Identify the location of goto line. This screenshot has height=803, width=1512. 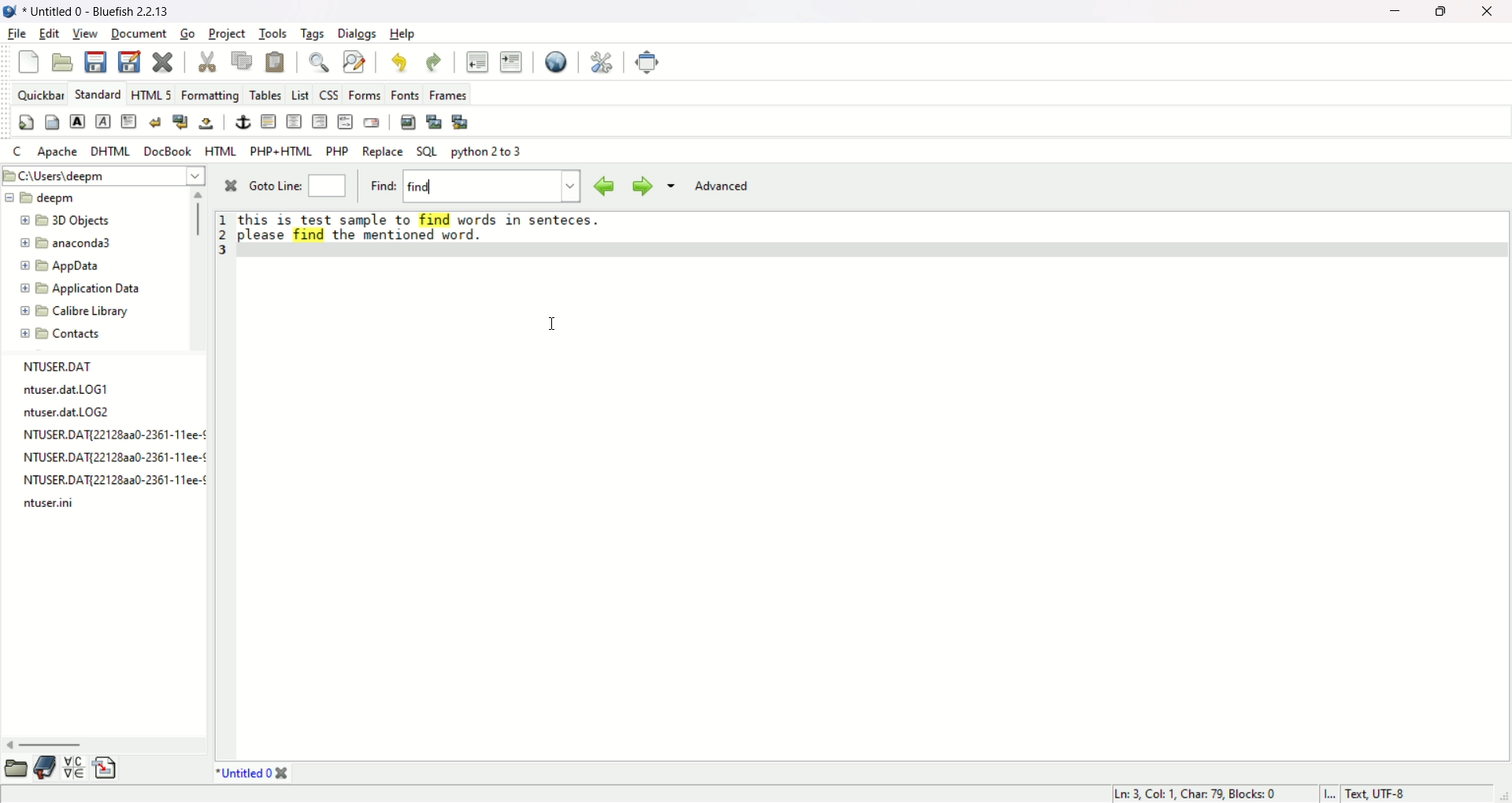
(274, 185).